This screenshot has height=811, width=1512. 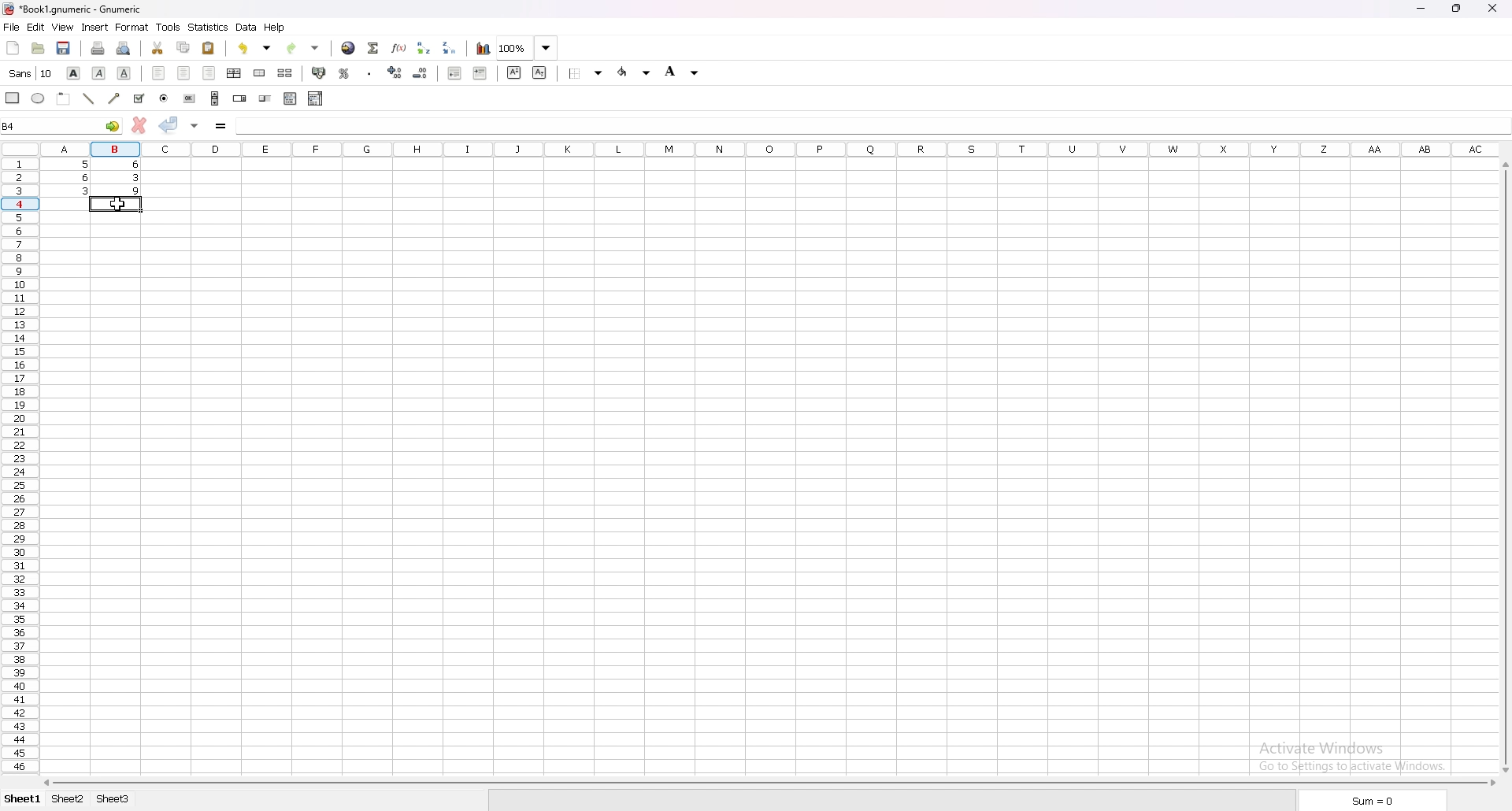 What do you see at coordinates (73, 74) in the screenshot?
I see `bold` at bounding box center [73, 74].